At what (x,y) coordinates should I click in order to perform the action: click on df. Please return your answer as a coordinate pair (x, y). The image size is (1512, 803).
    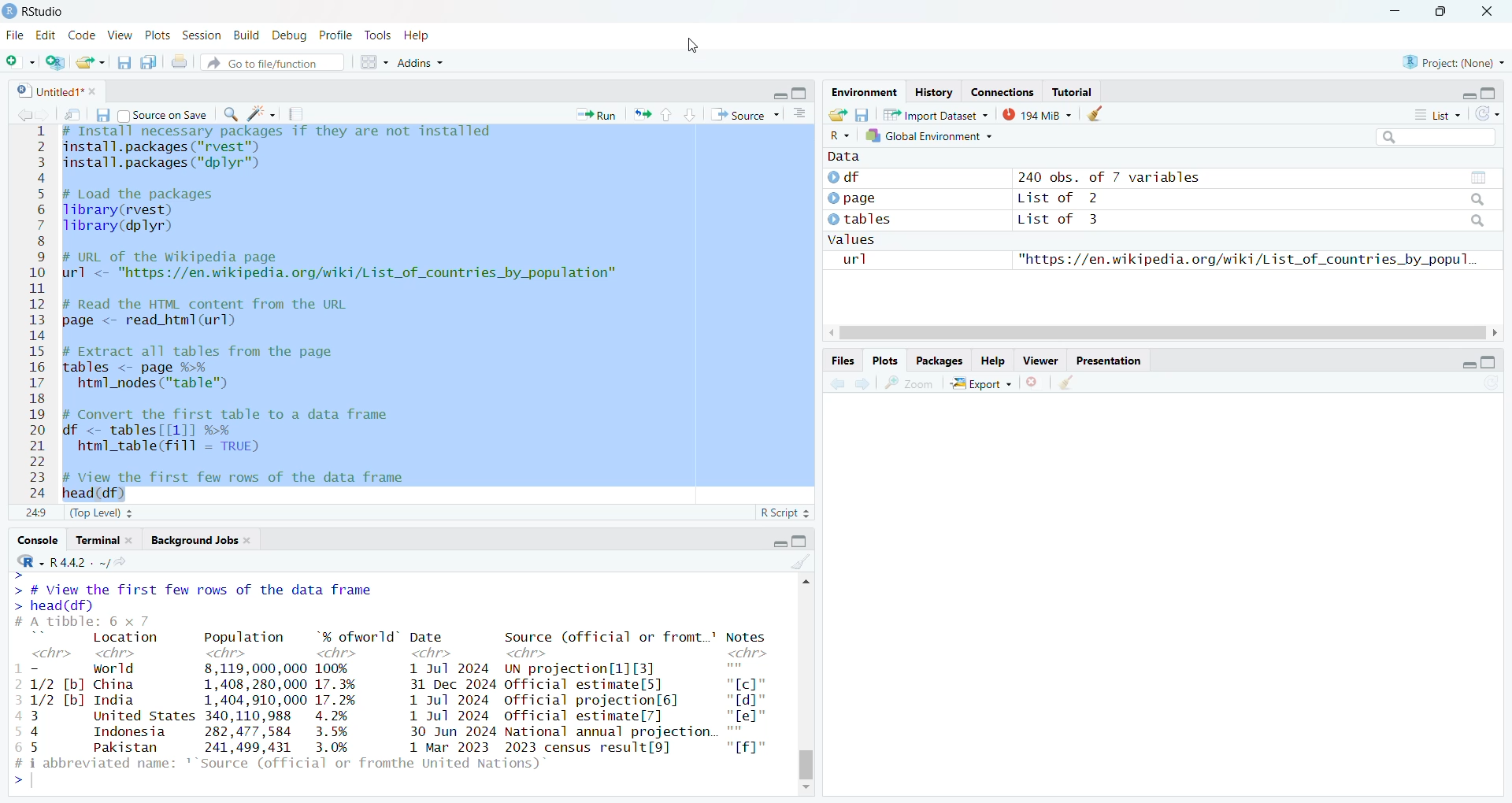
    Looking at the image, I should click on (854, 177).